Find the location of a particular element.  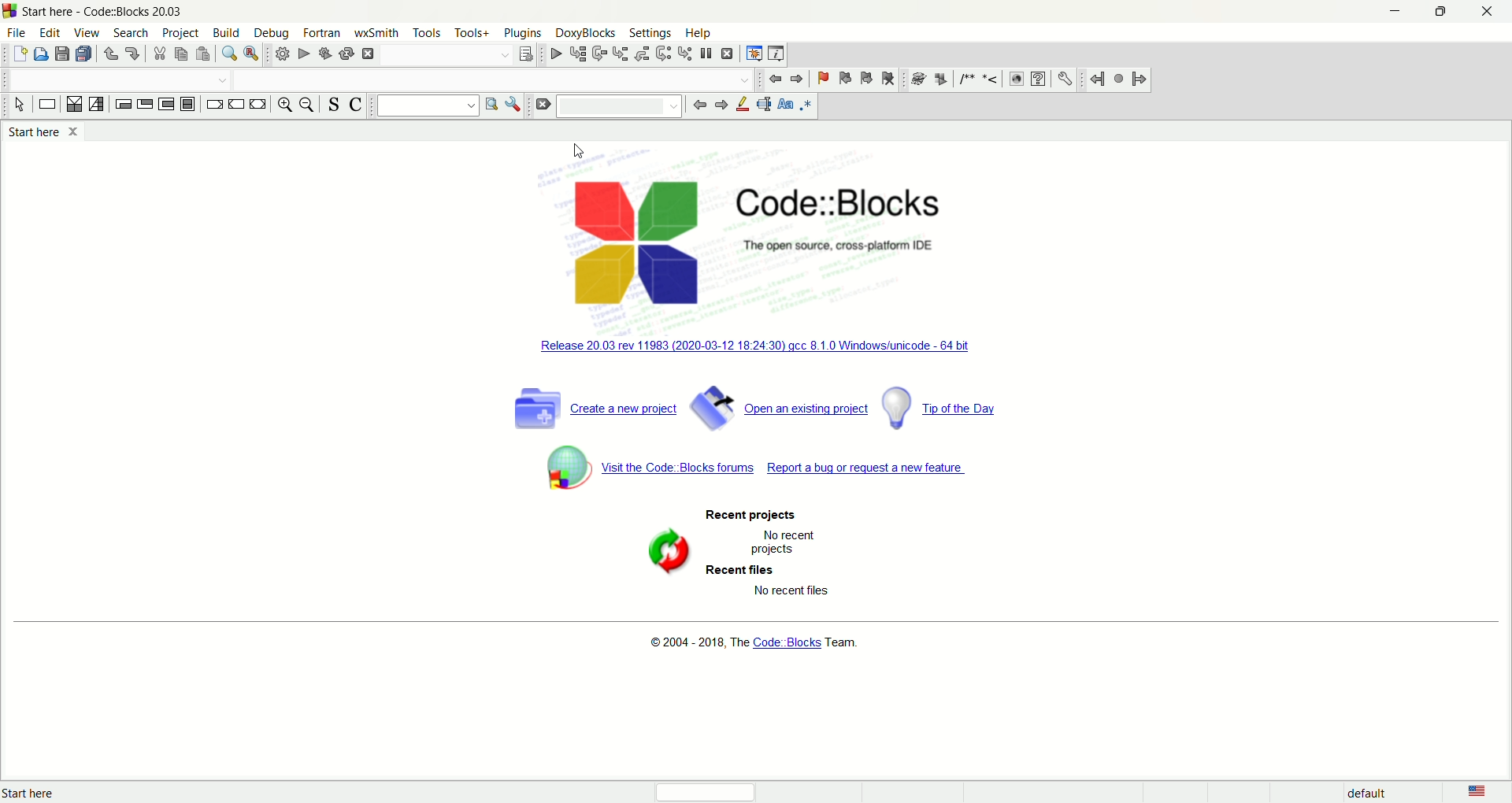

zoom in is located at coordinates (283, 105).